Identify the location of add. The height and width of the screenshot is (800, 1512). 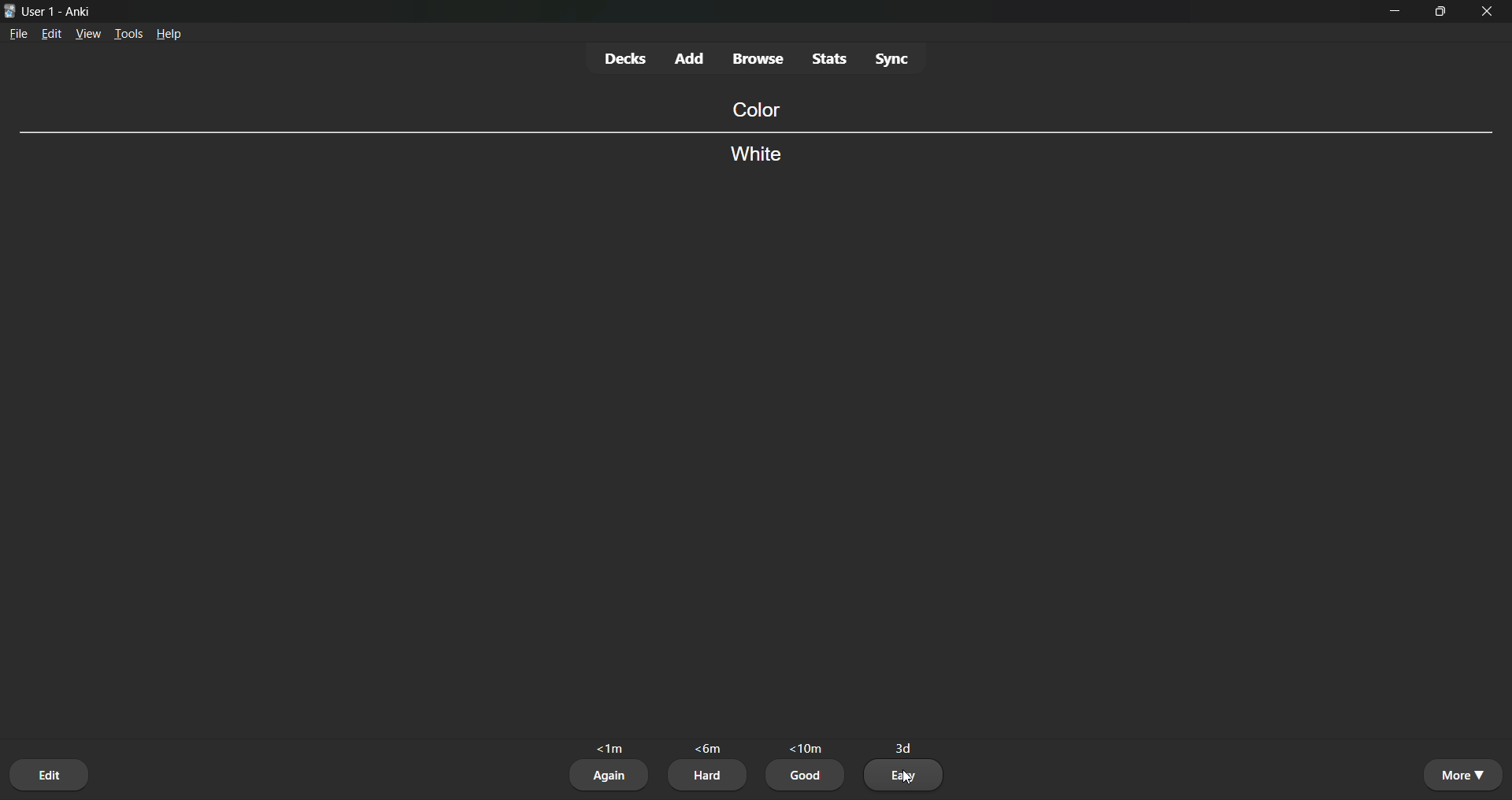
(691, 56).